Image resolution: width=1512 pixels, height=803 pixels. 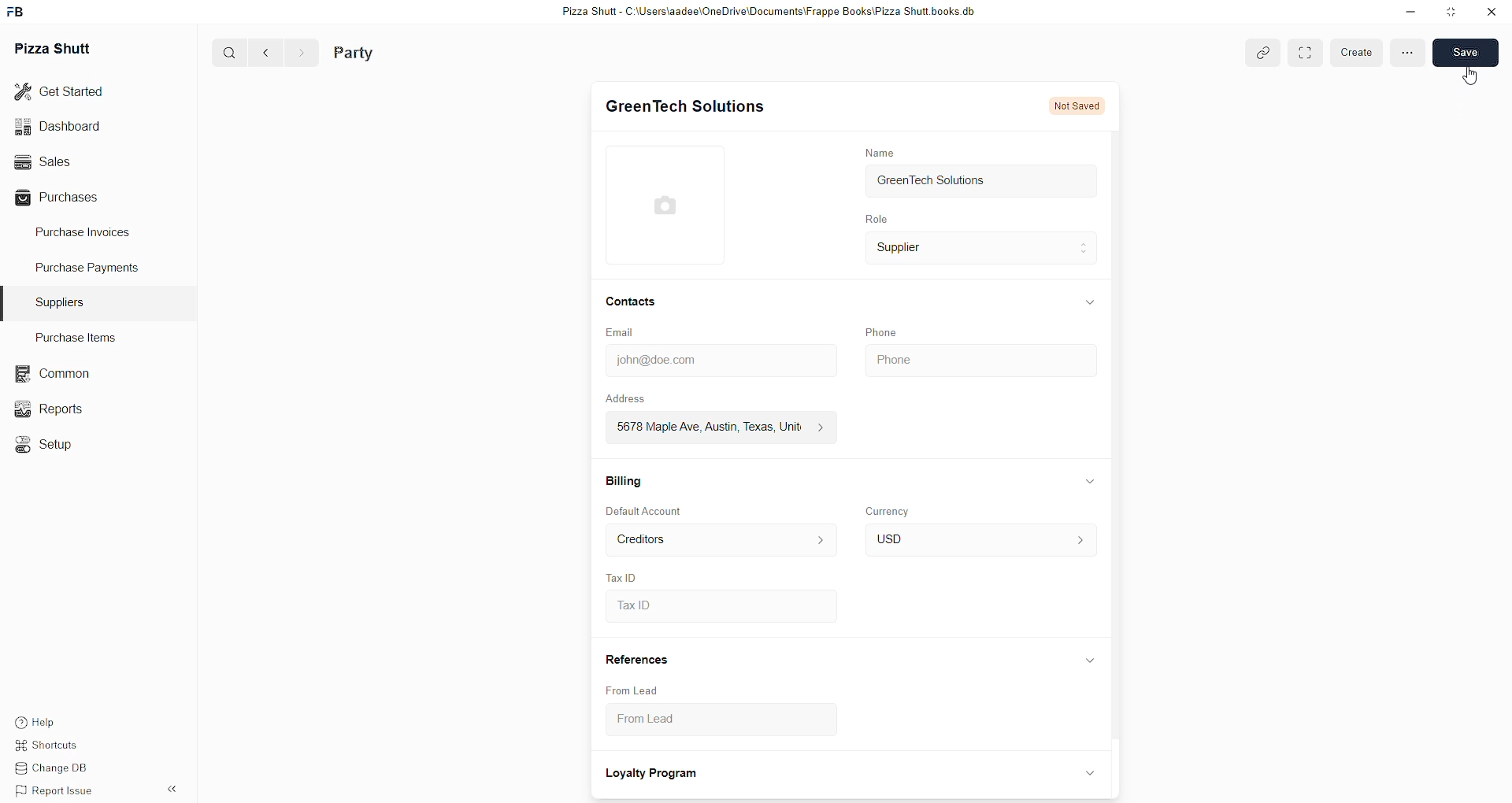 What do you see at coordinates (297, 52) in the screenshot?
I see `next page` at bounding box center [297, 52].